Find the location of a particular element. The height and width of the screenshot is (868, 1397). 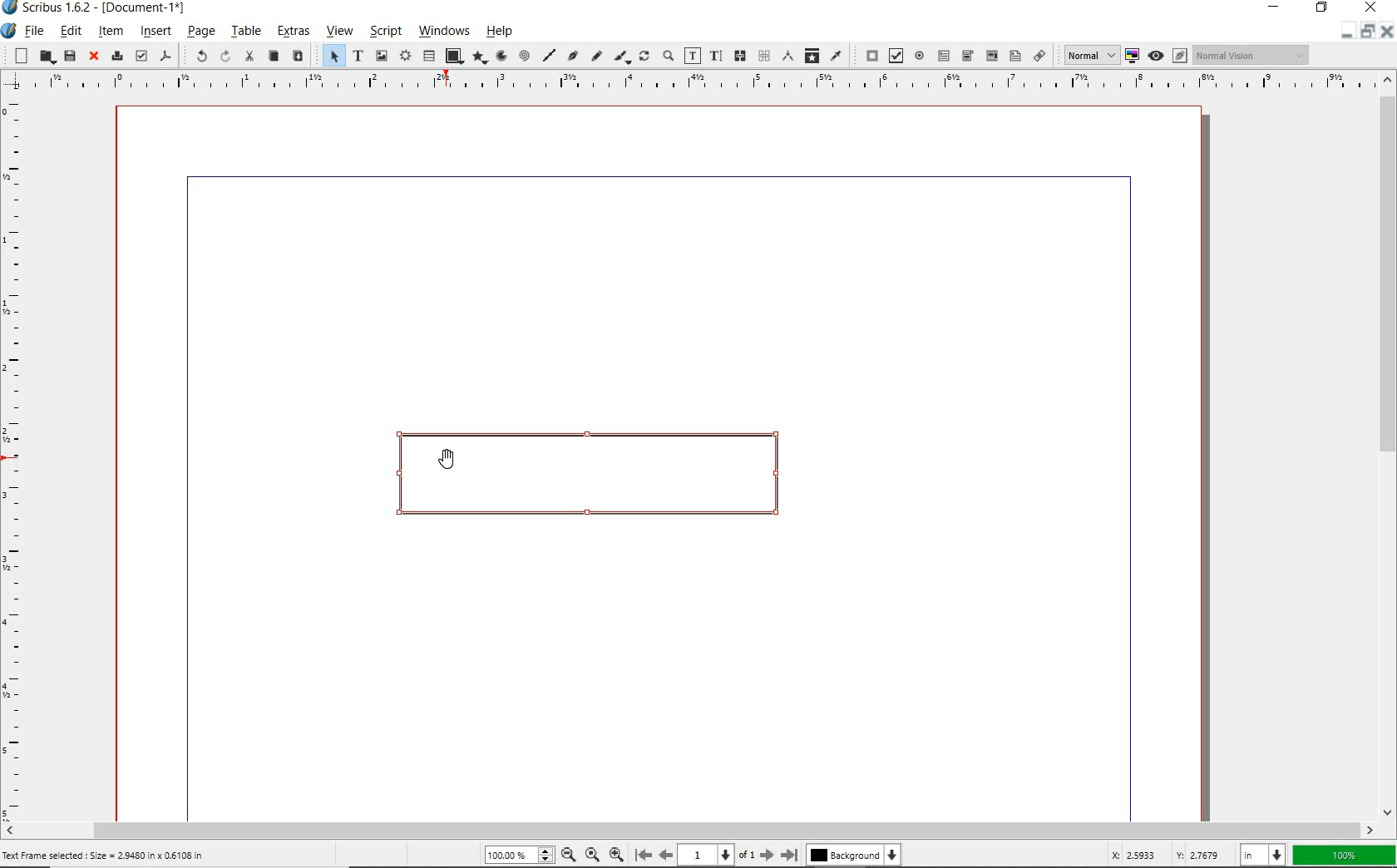

undo is located at coordinates (195, 55).